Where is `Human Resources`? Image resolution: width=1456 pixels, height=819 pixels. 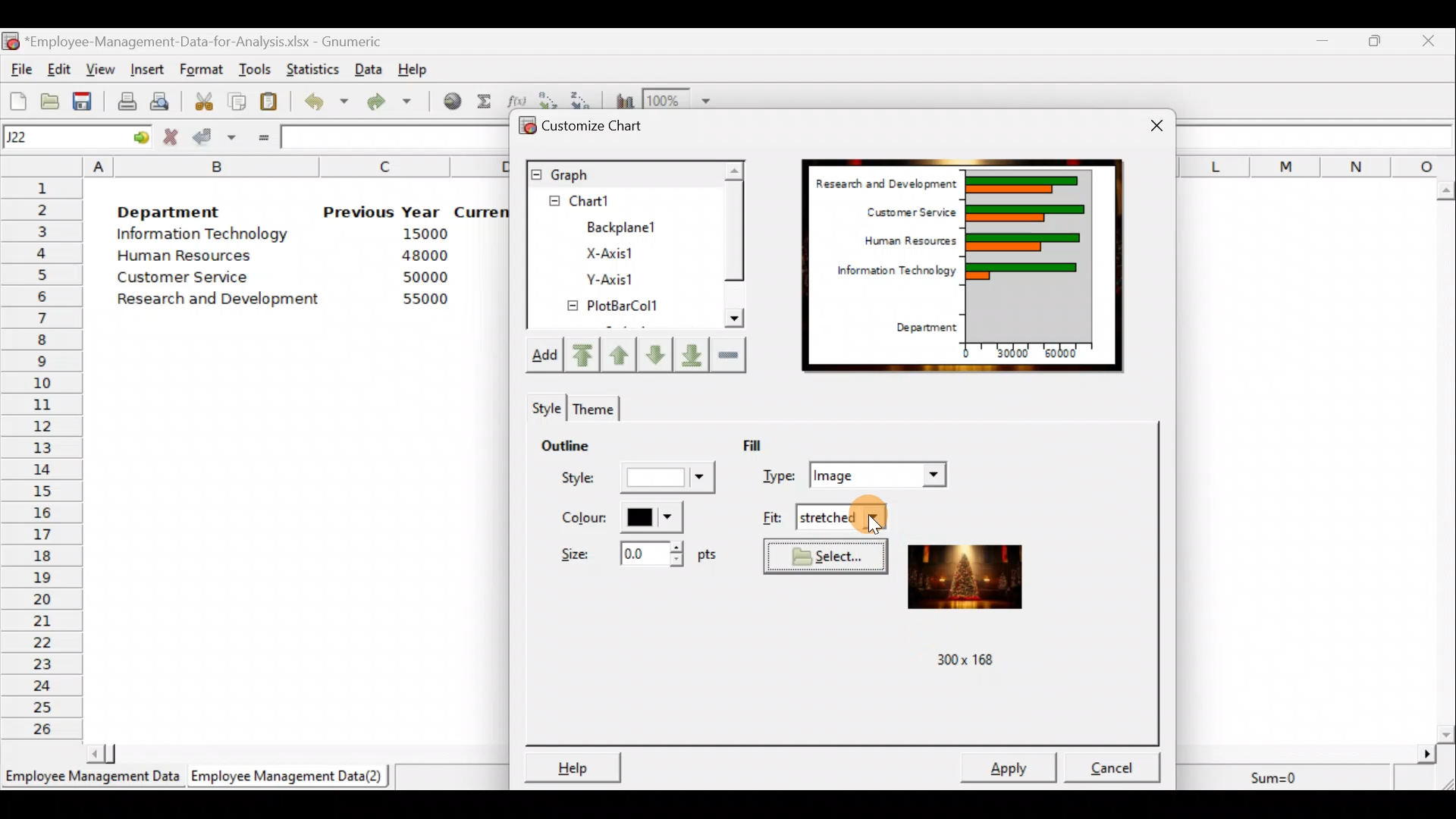
Human Resources is located at coordinates (196, 257).